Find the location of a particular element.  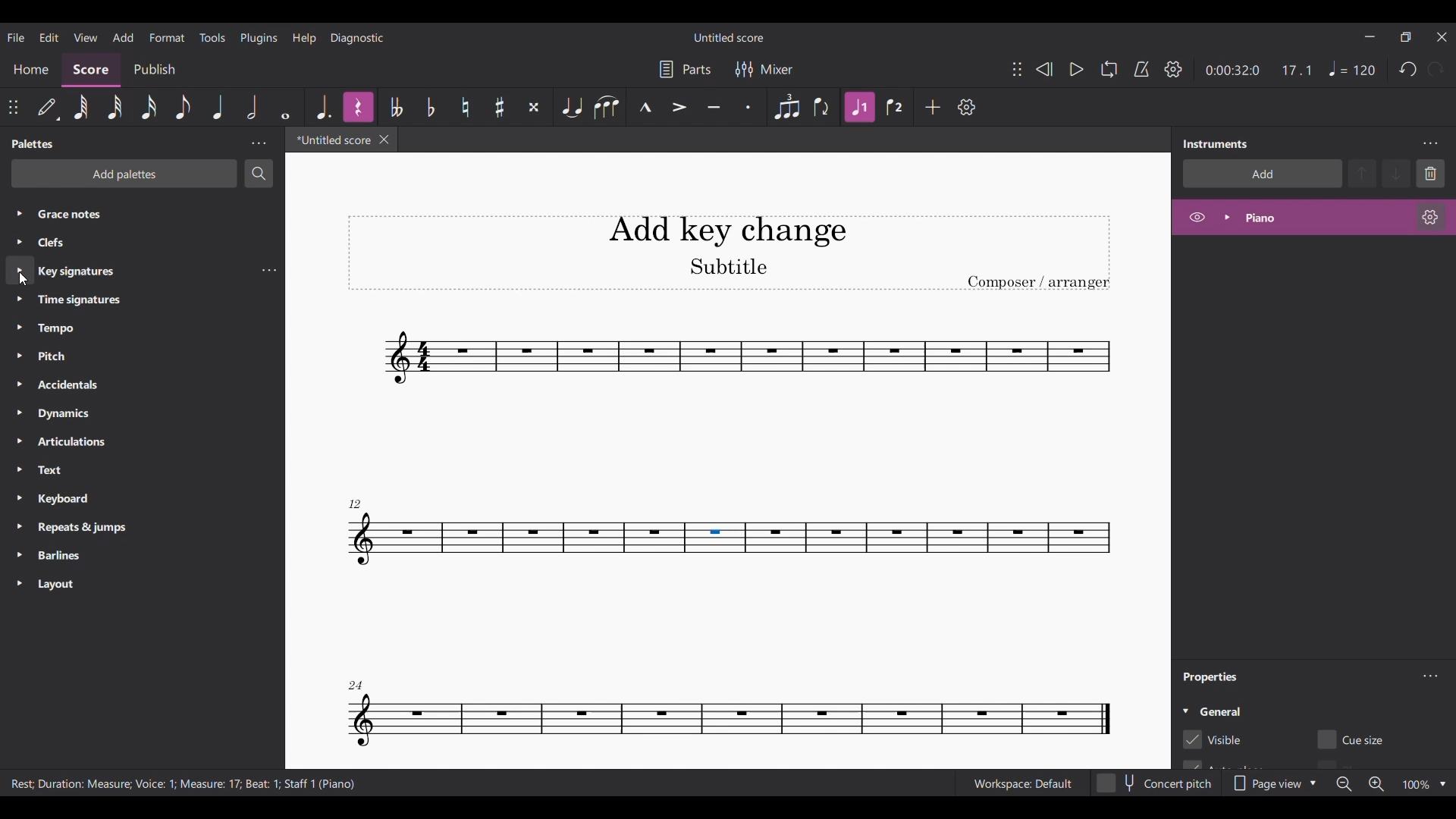

Augmentation dot is located at coordinates (325, 107).